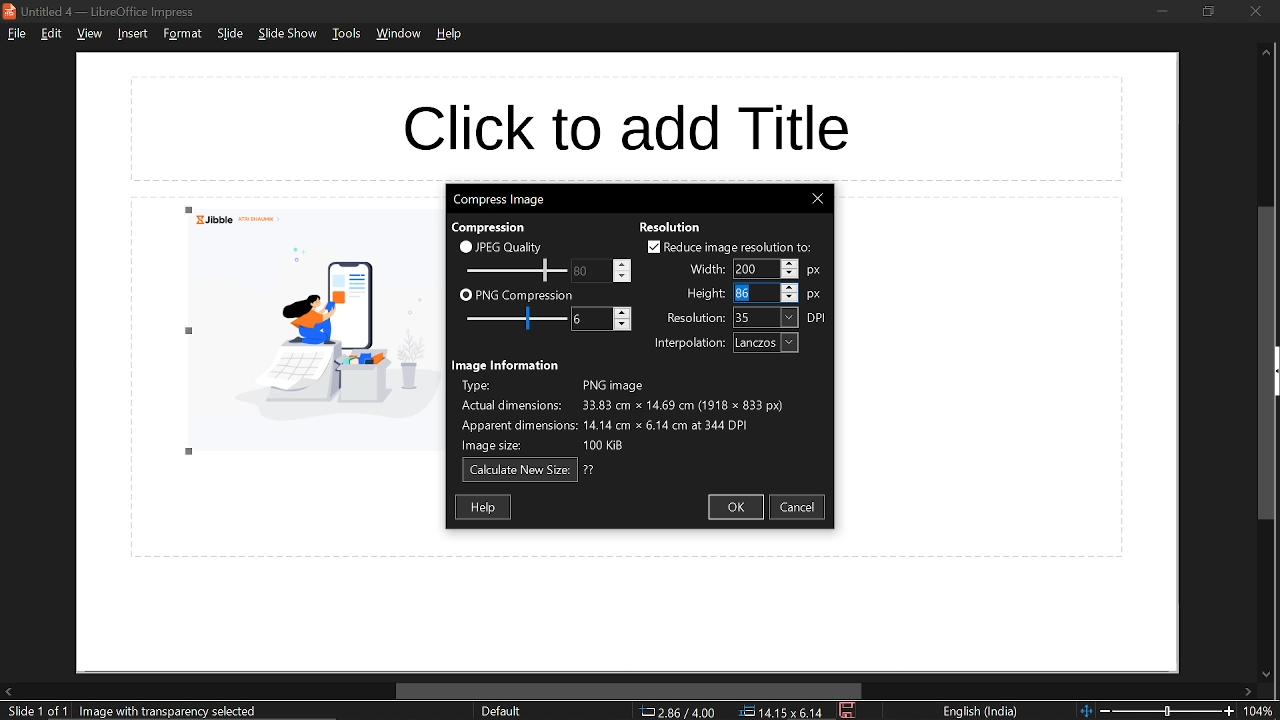 Image resolution: width=1280 pixels, height=720 pixels. Describe the element at coordinates (590, 470) in the screenshot. I see `question mark` at that location.